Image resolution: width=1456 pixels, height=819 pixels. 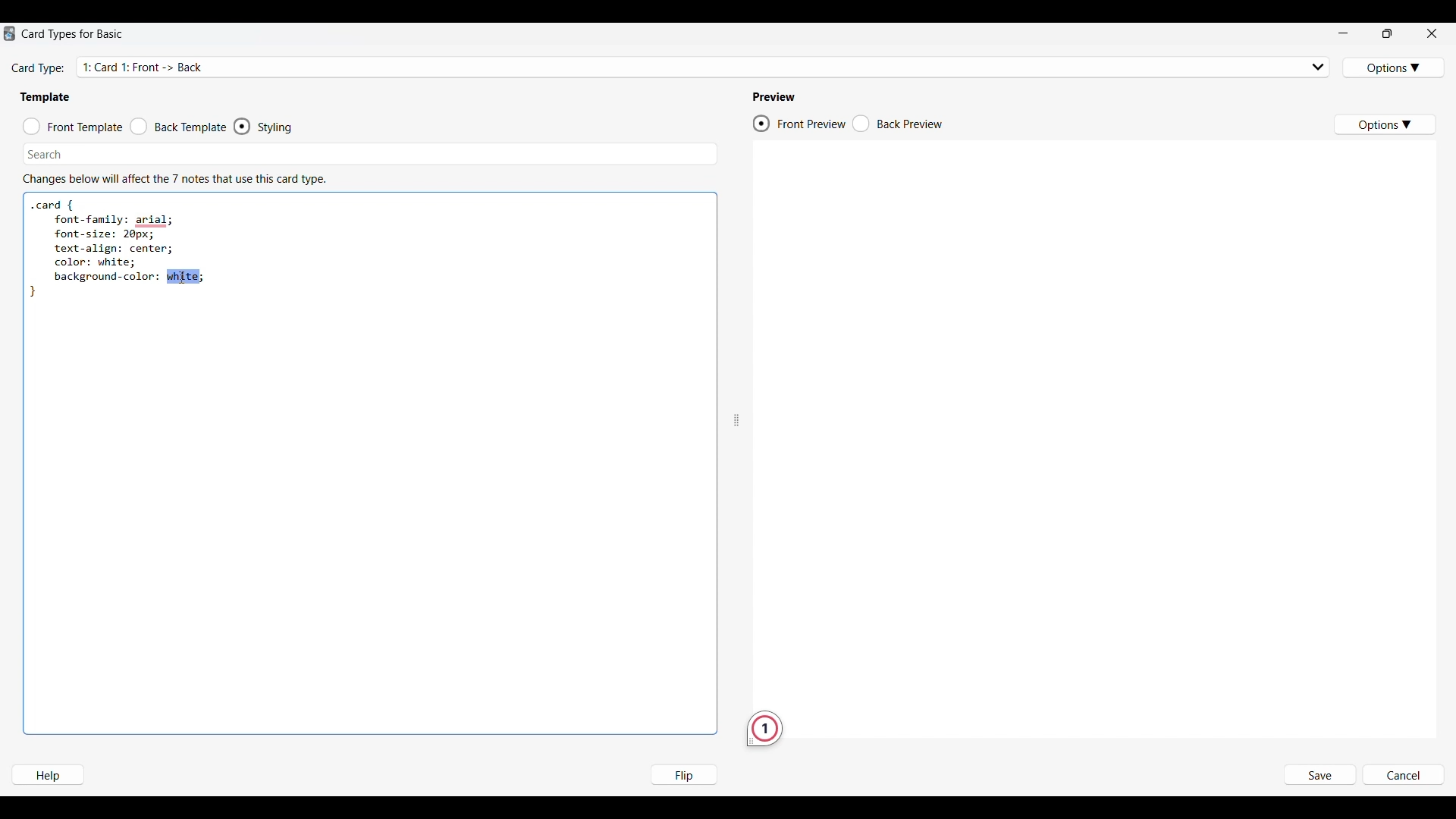 What do you see at coordinates (799, 124) in the screenshot?
I see `Preview front of card, current selection` at bounding box center [799, 124].